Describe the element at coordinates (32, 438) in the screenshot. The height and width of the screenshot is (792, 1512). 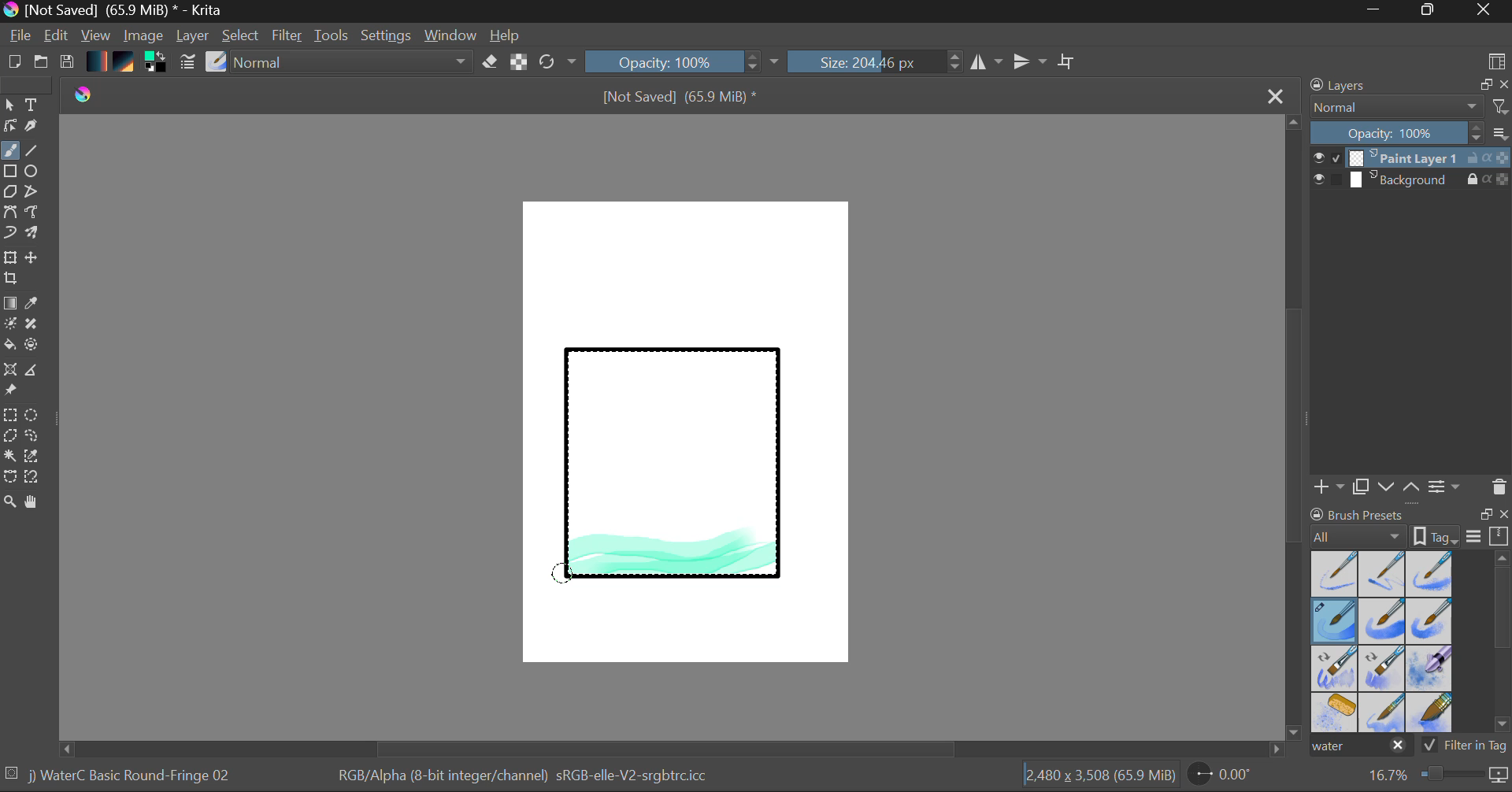
I see `Freehand Selection` at that location.